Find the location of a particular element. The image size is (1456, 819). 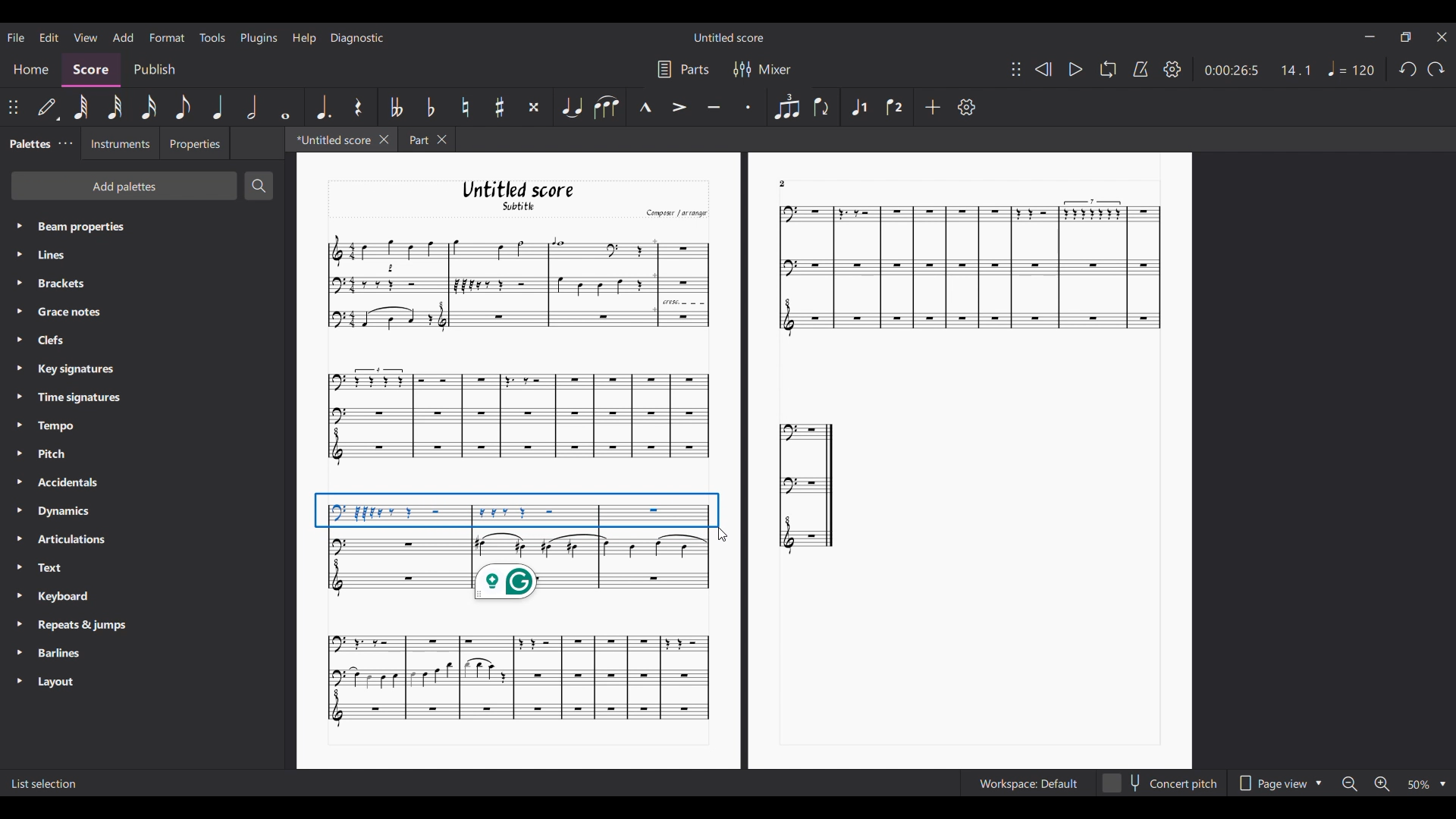

View menu is located at coordinates (86, 36).